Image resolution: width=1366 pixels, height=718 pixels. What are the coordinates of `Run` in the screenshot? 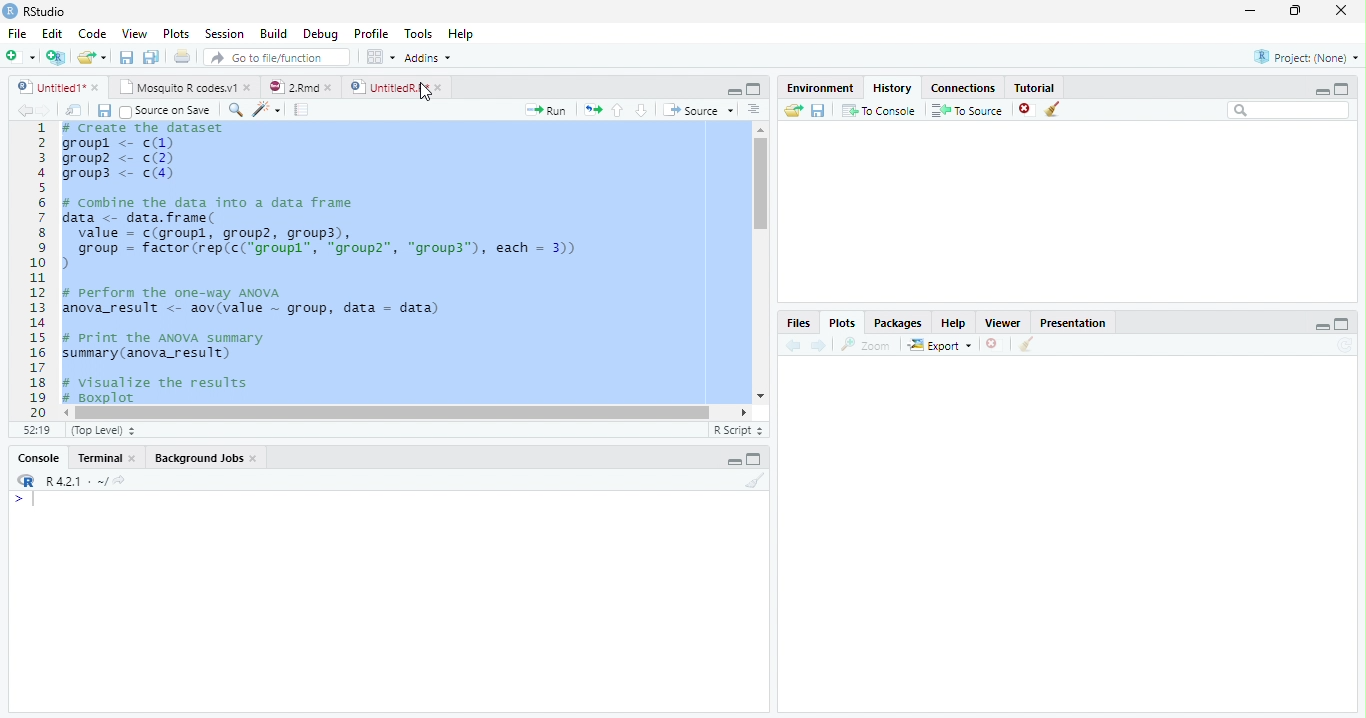 It's located at (546, 110).